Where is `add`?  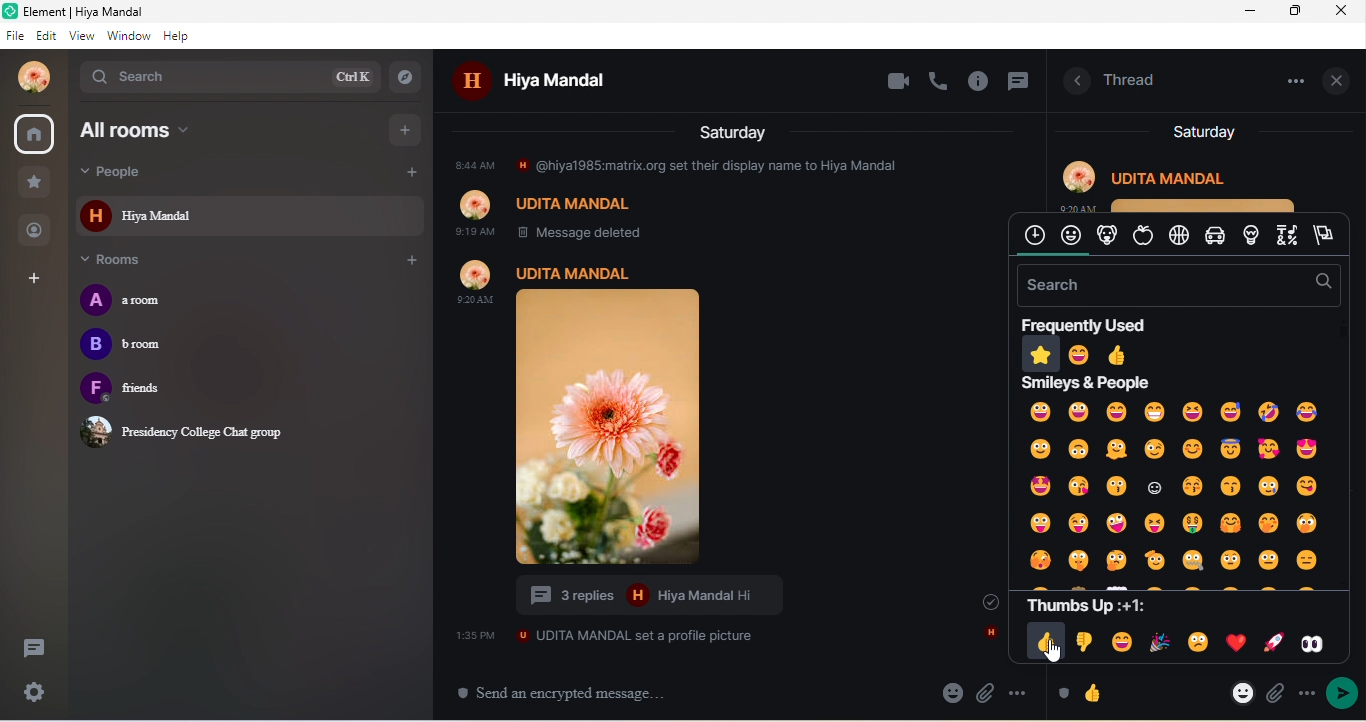 add is located at coordinates (410, 261).